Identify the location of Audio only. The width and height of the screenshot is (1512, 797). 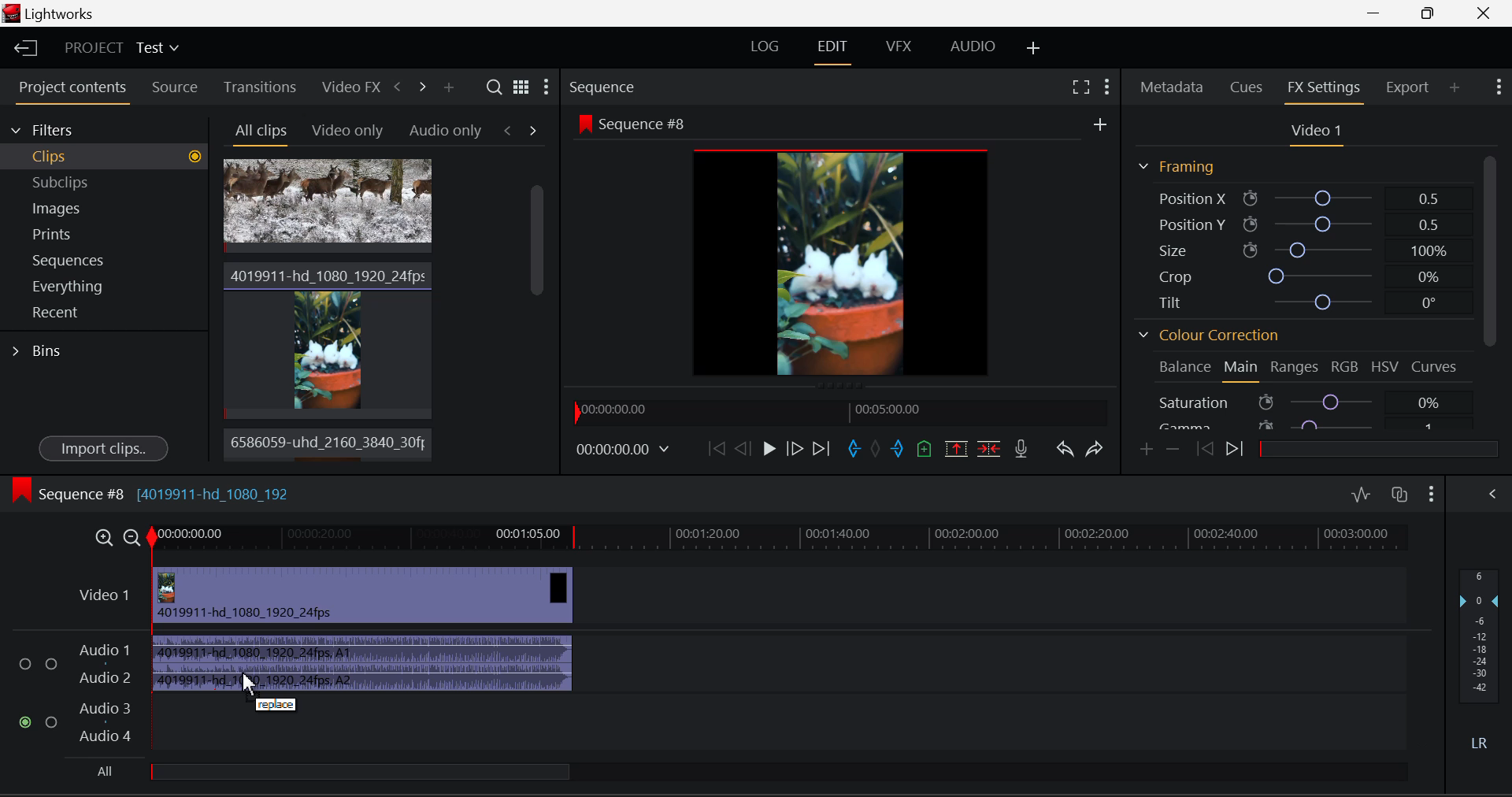
(446, 129).